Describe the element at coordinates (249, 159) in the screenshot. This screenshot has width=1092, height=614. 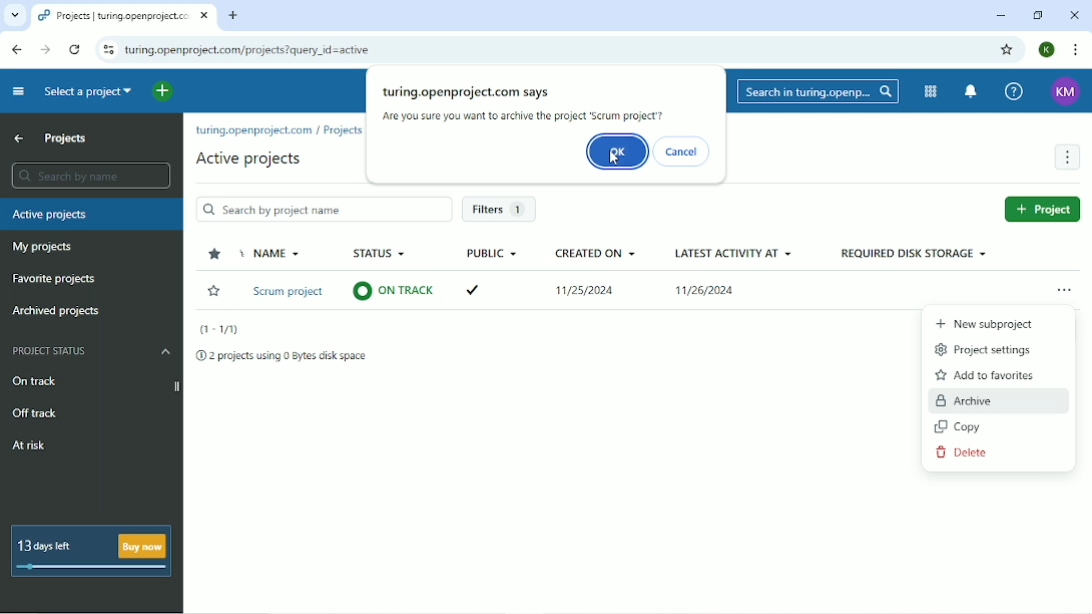
I see `Active projects` at that location.